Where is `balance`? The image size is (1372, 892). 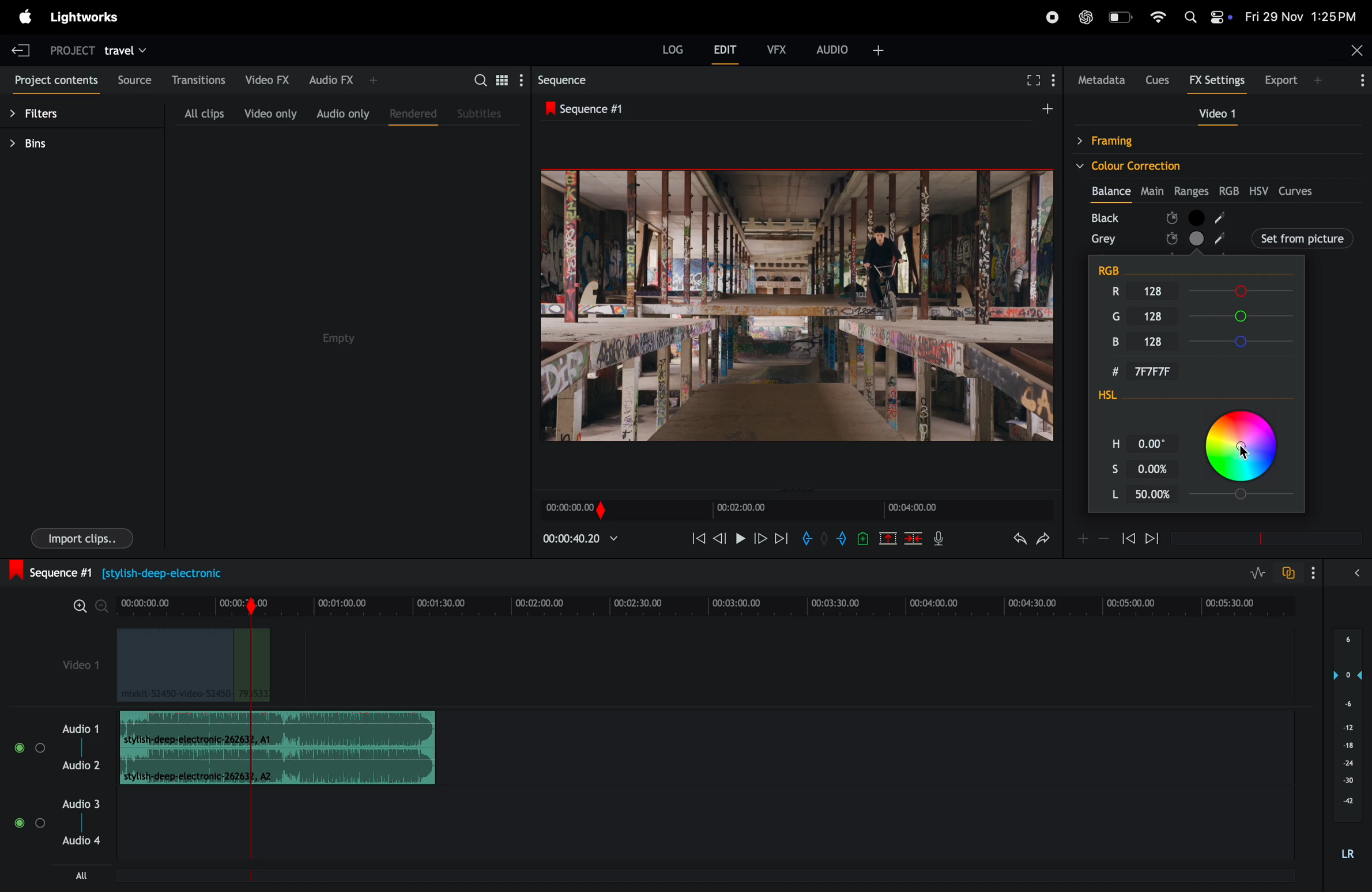
balance is located at coordinates (1111, 189).